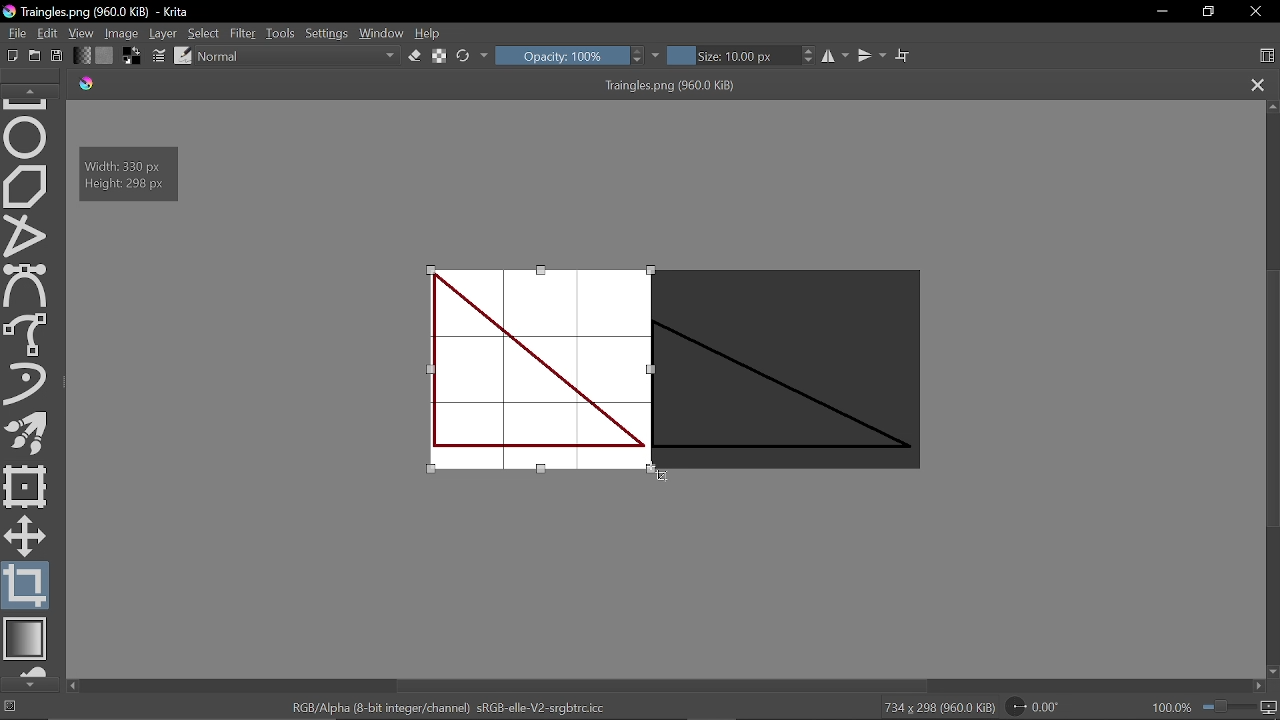  I want to click on Rotation, so click(1039, 707).